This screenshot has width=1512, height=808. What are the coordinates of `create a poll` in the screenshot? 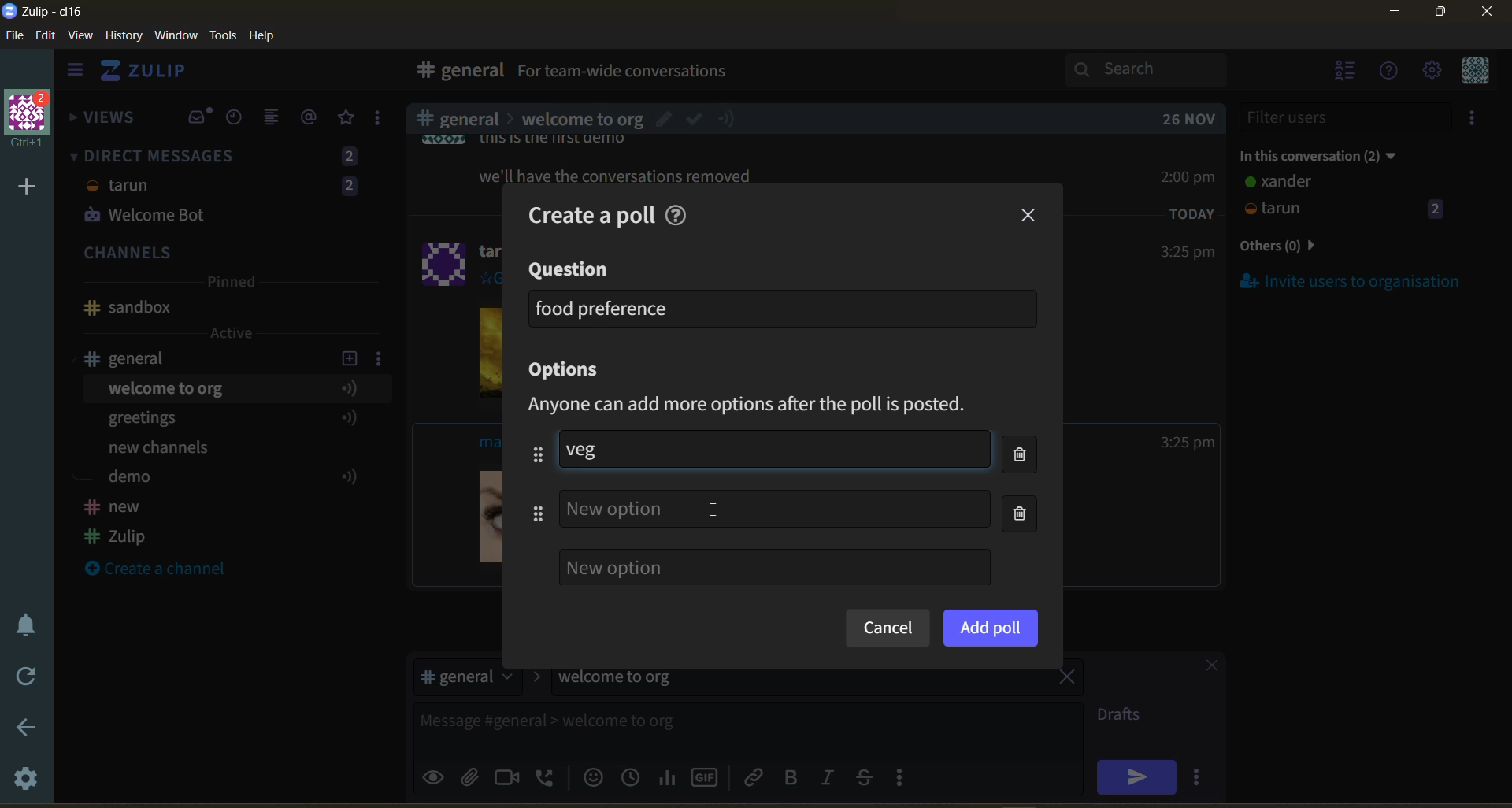 It's located at (587, 215).